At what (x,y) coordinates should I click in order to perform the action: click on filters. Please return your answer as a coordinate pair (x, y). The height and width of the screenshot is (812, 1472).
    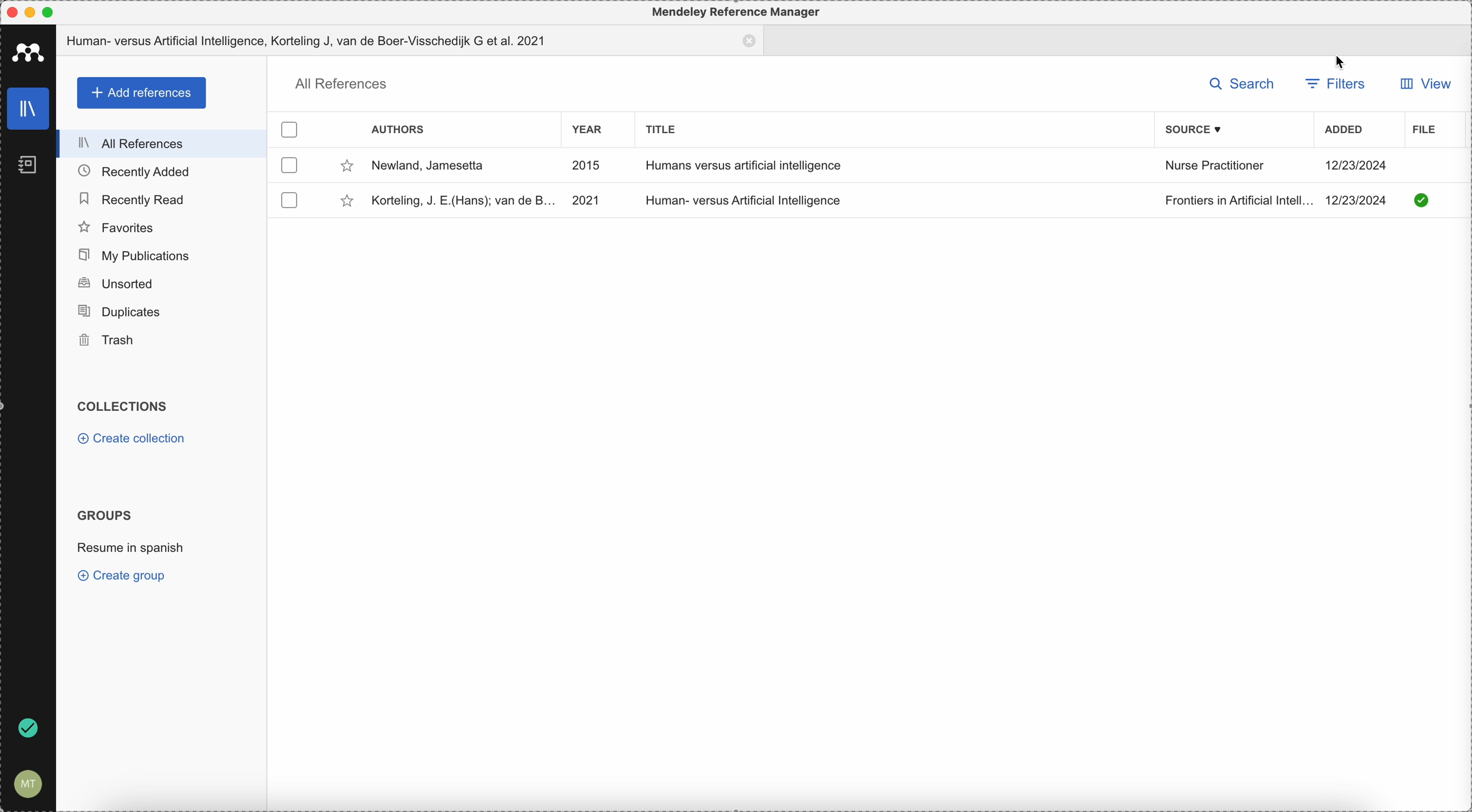
    Looking at the image, I should click on (1331, 82).